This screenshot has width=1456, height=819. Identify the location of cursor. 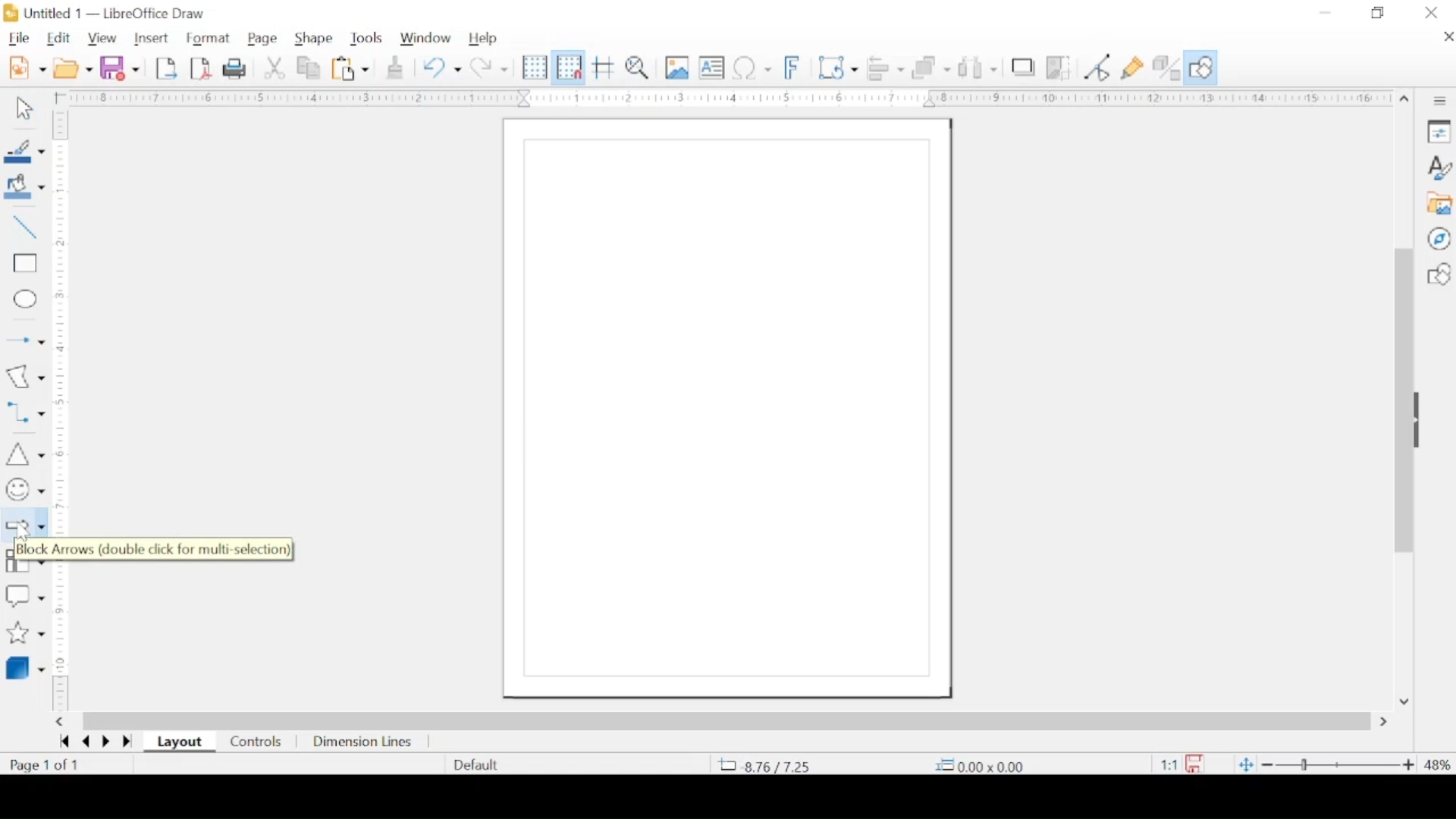
(28, 534).